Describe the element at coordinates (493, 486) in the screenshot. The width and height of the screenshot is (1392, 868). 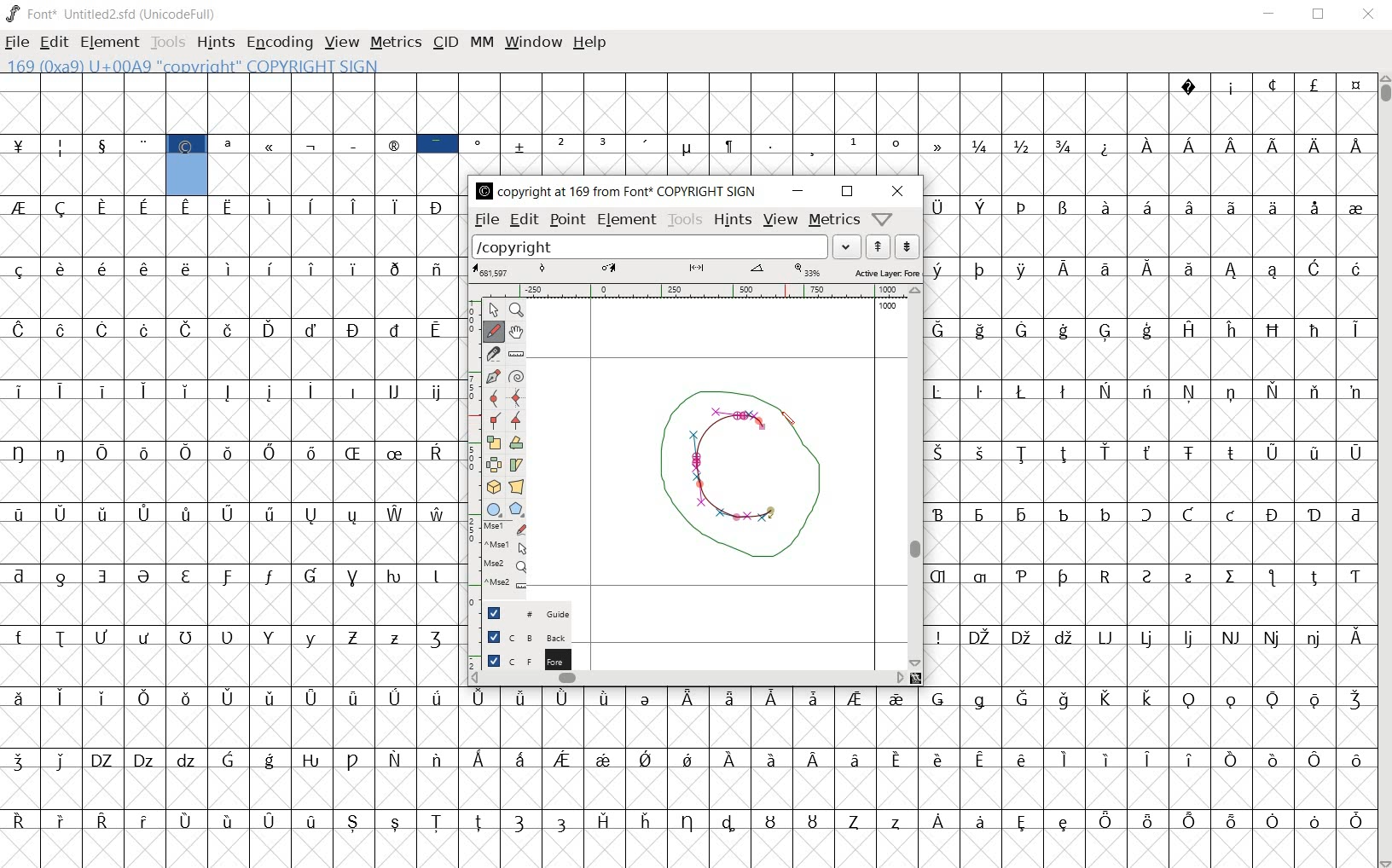
I see `rotate the selection in 3D and project back to plane` at that location.